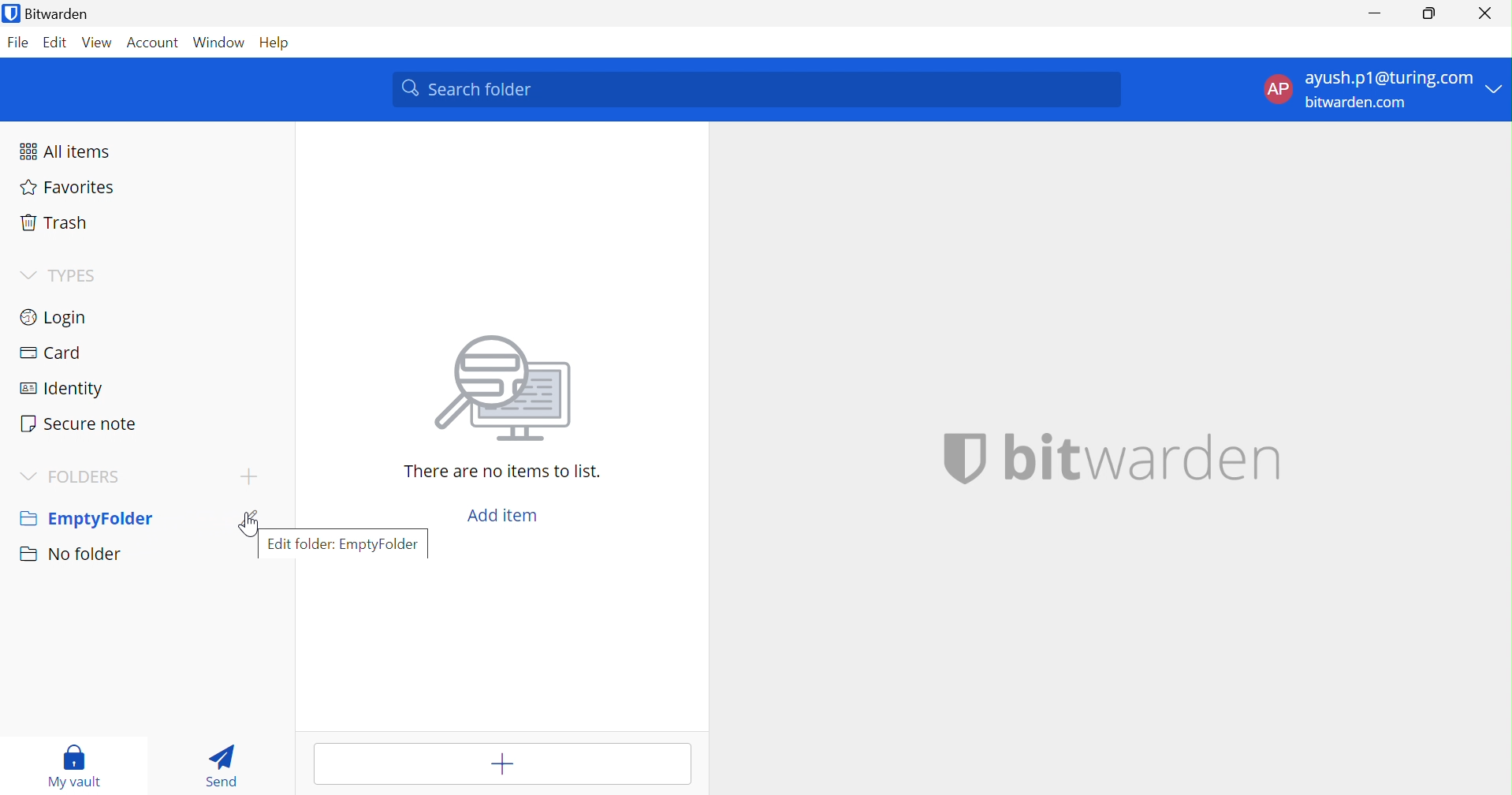 The height and width of the screenshot is (795, 1512). Describe the element at coordinates (246, 524) in the screenshot. I see `Cursor` at that location.